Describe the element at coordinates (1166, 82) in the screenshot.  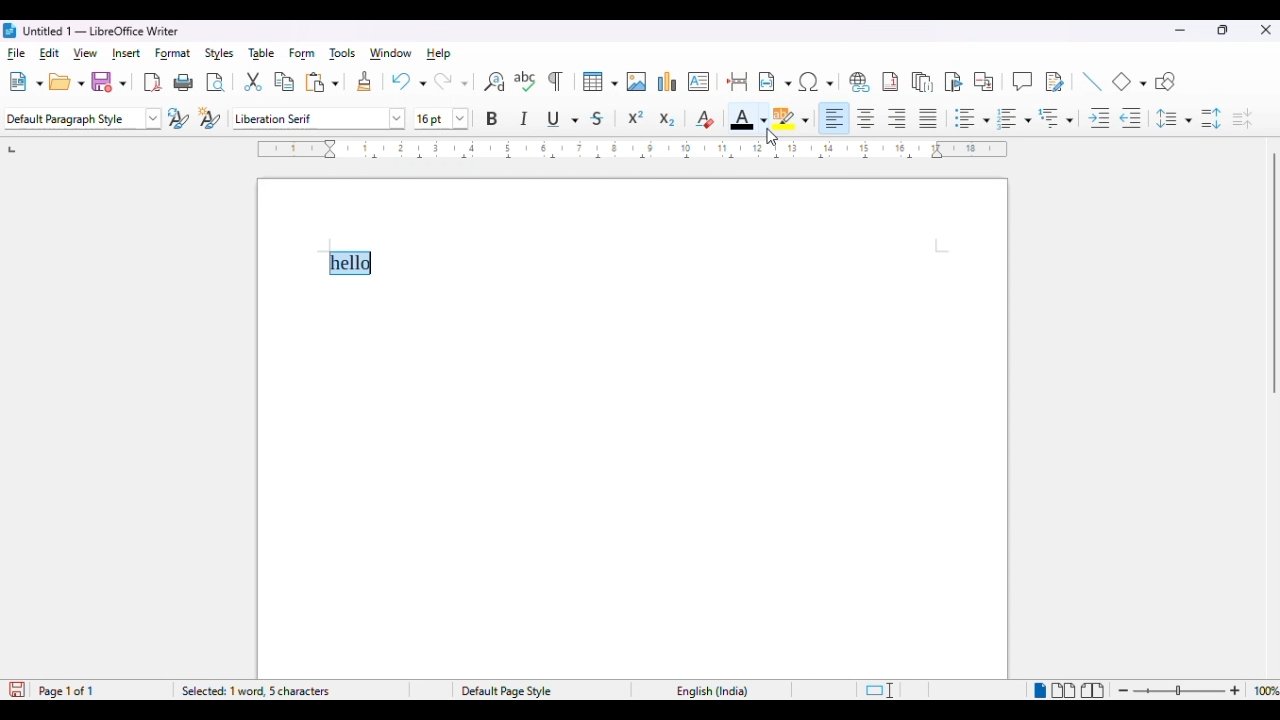
I see `show draw functions` at that location.